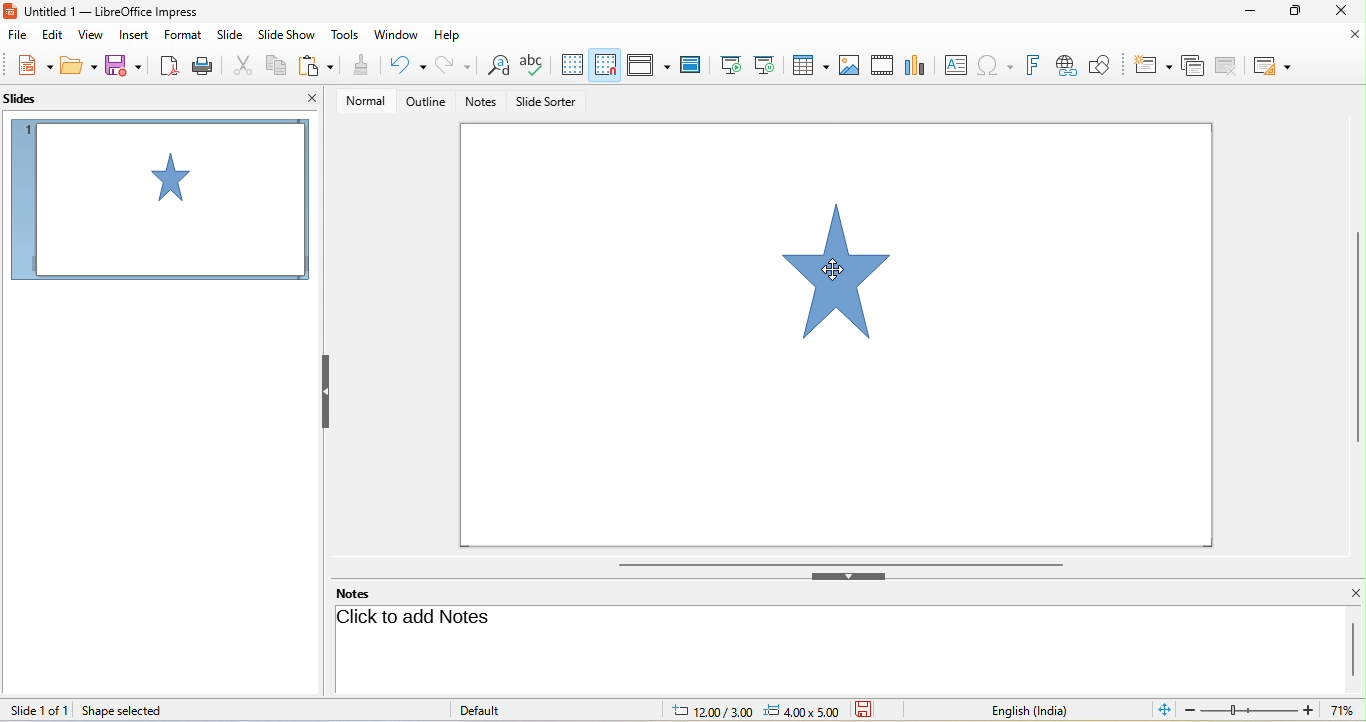 This screenshot has height=722, width=1366. What do you see at coordinates (317, 65) in the screenshot?
I see `paste` at bounding box center [317, 65].